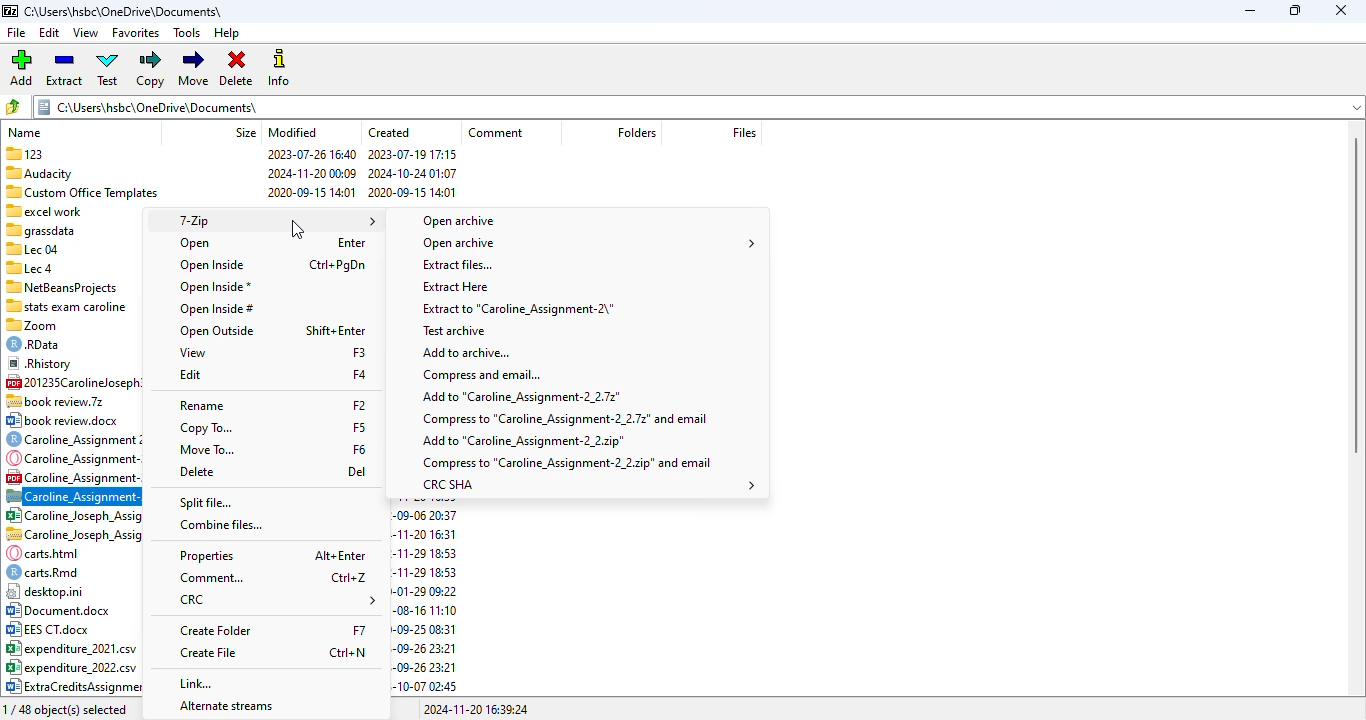  I want to click on open archive, so click(587, 243).